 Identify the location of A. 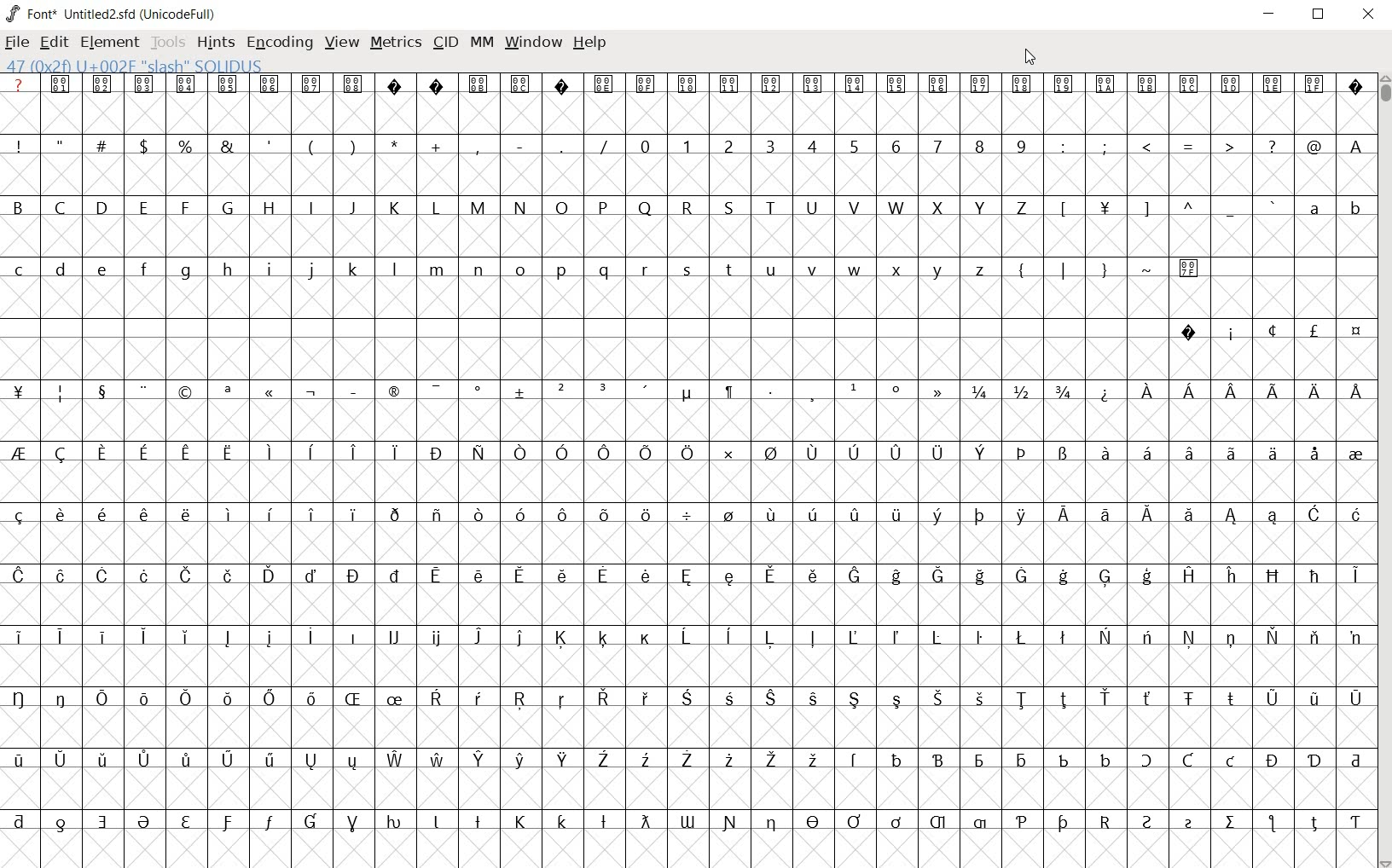
(1353, 146).